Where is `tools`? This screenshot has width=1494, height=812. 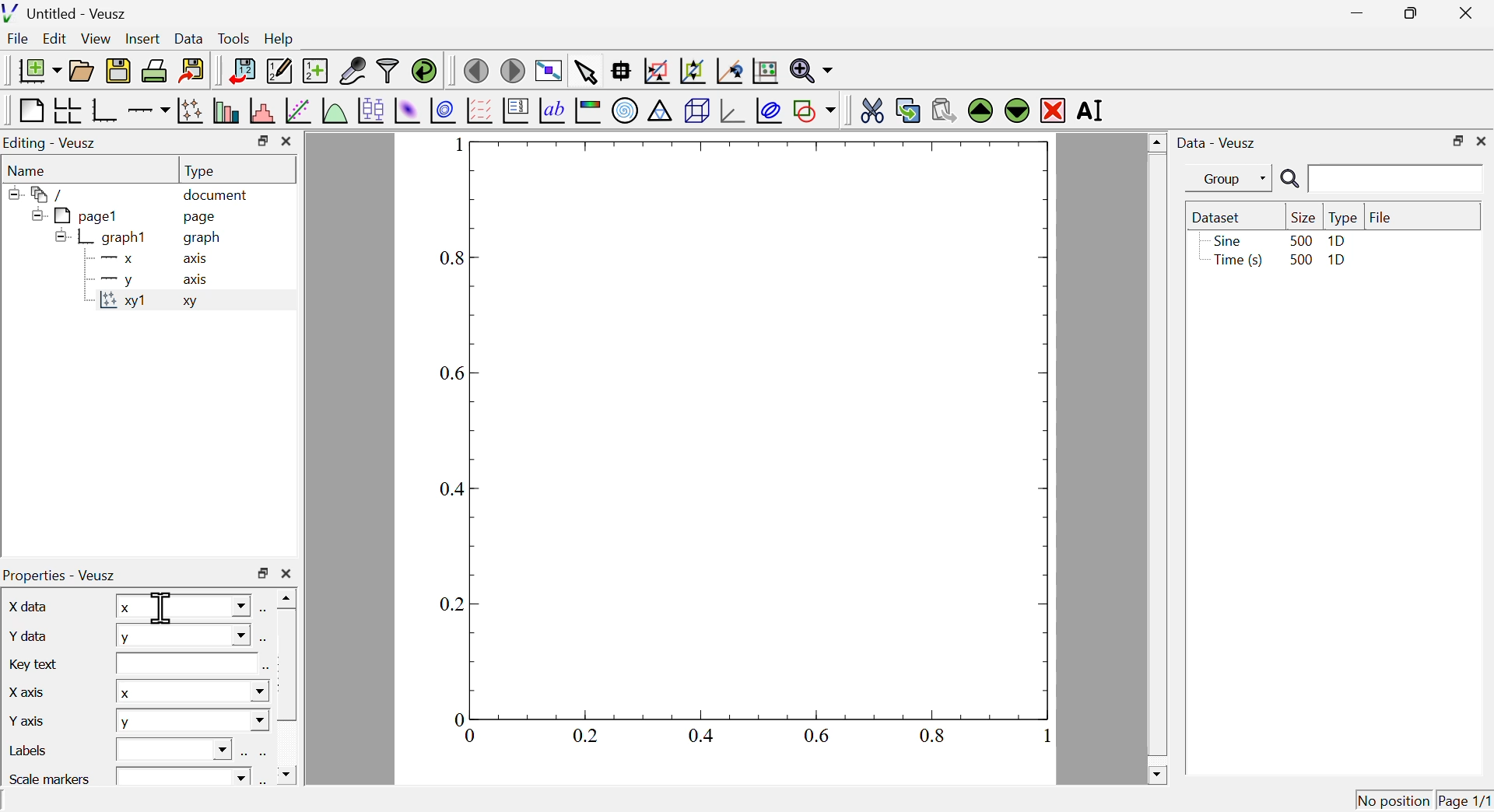 tools is located at coordinates (235, 37).